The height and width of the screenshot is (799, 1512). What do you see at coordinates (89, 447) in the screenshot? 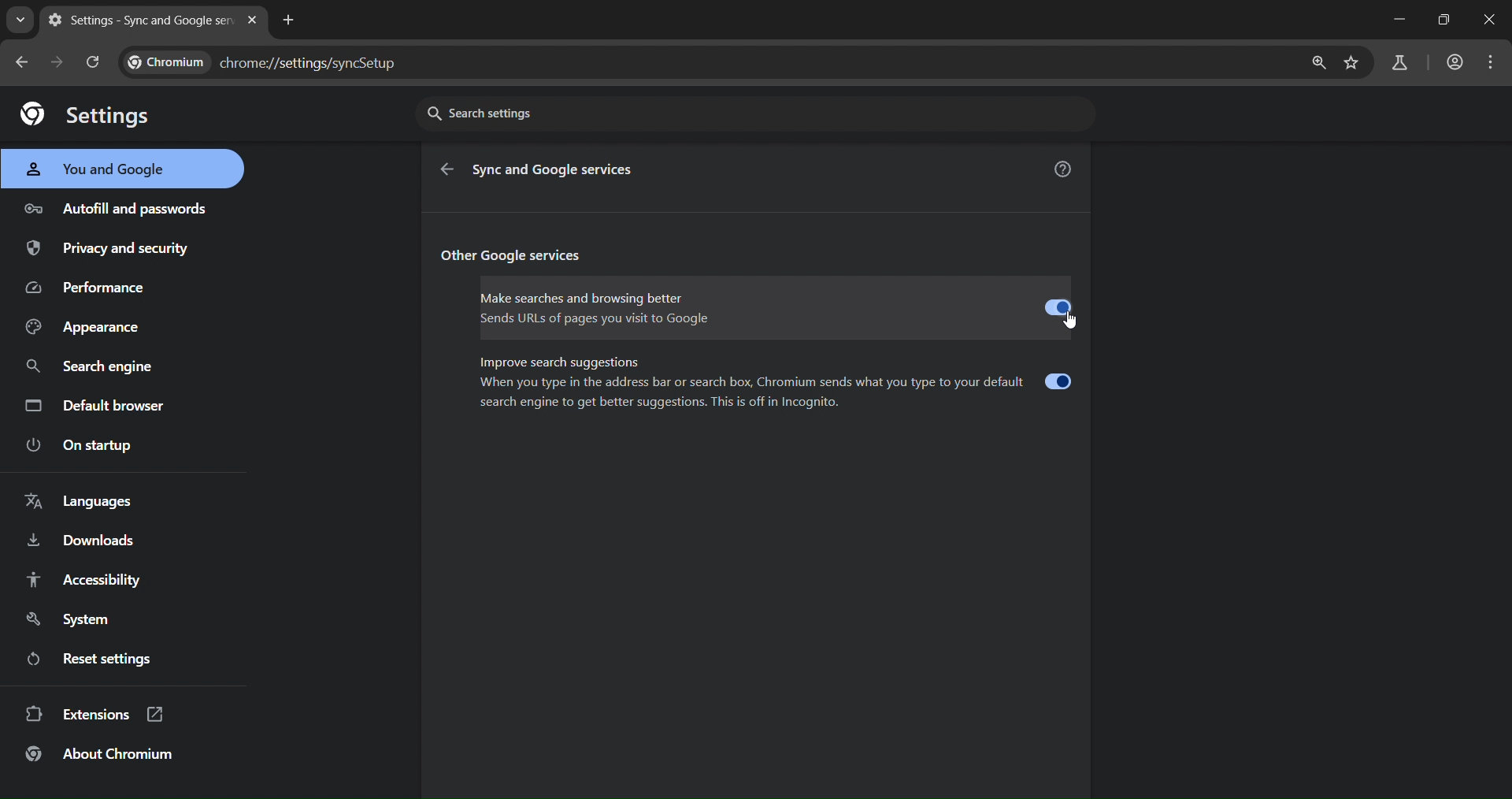
I see `on startup` at bounding box center [89, 447].